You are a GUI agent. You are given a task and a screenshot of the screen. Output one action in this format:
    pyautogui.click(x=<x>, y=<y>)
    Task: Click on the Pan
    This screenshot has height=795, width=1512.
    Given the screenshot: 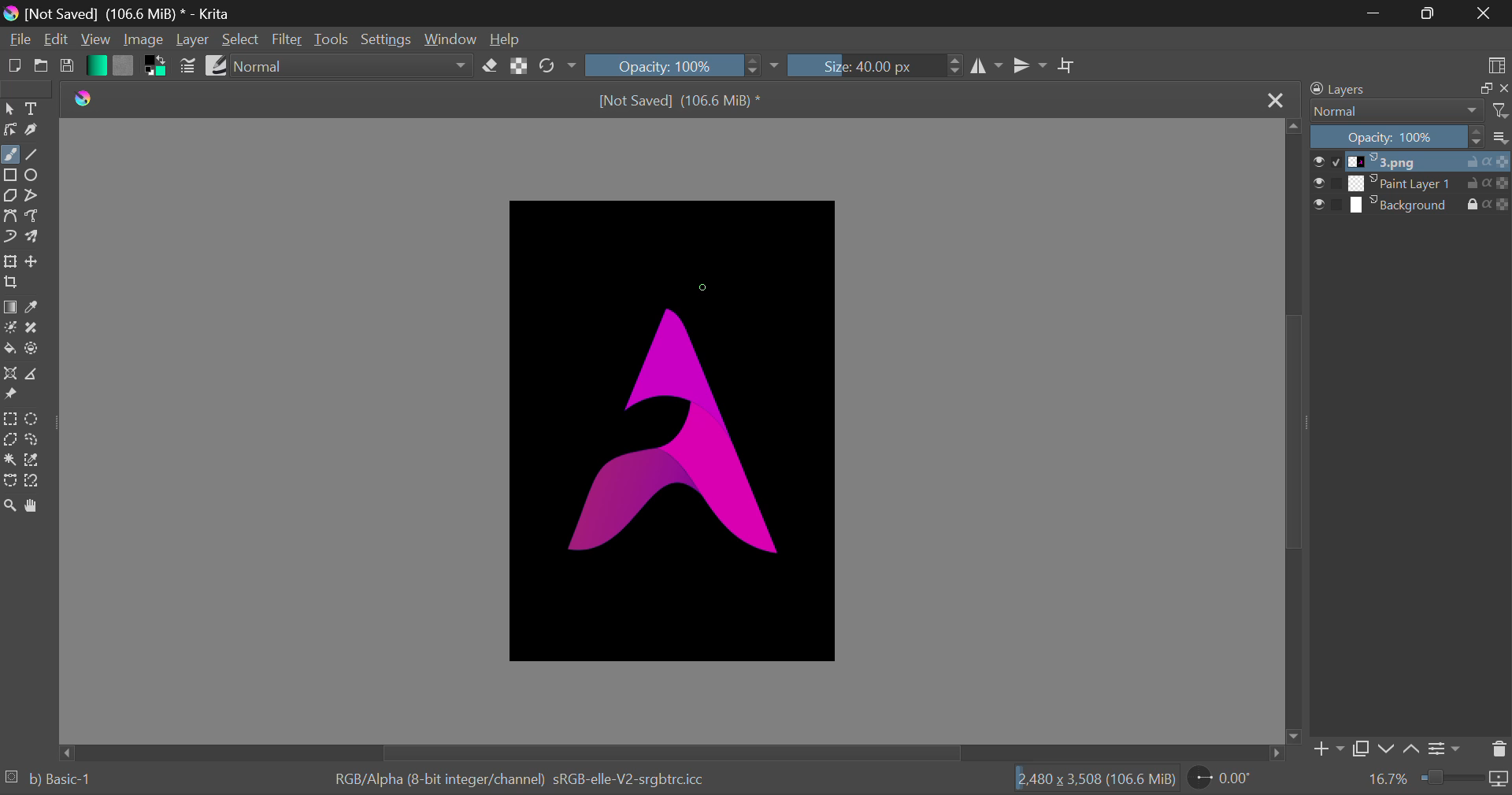 What is the action you would take?
    pyautogui.click(x=38, y=505)
    